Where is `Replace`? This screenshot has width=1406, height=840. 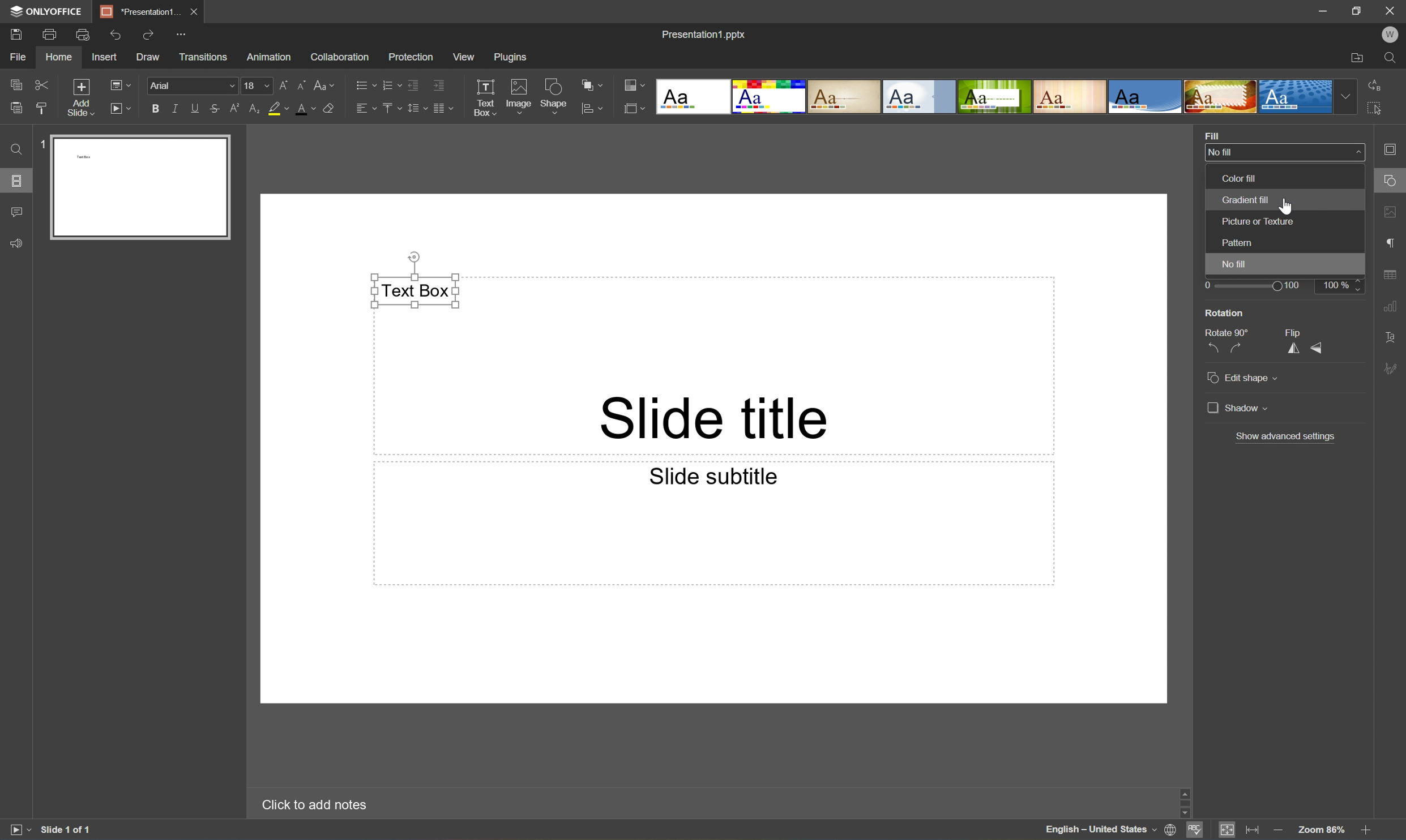
Replace is located at coordinates (1375, 84).